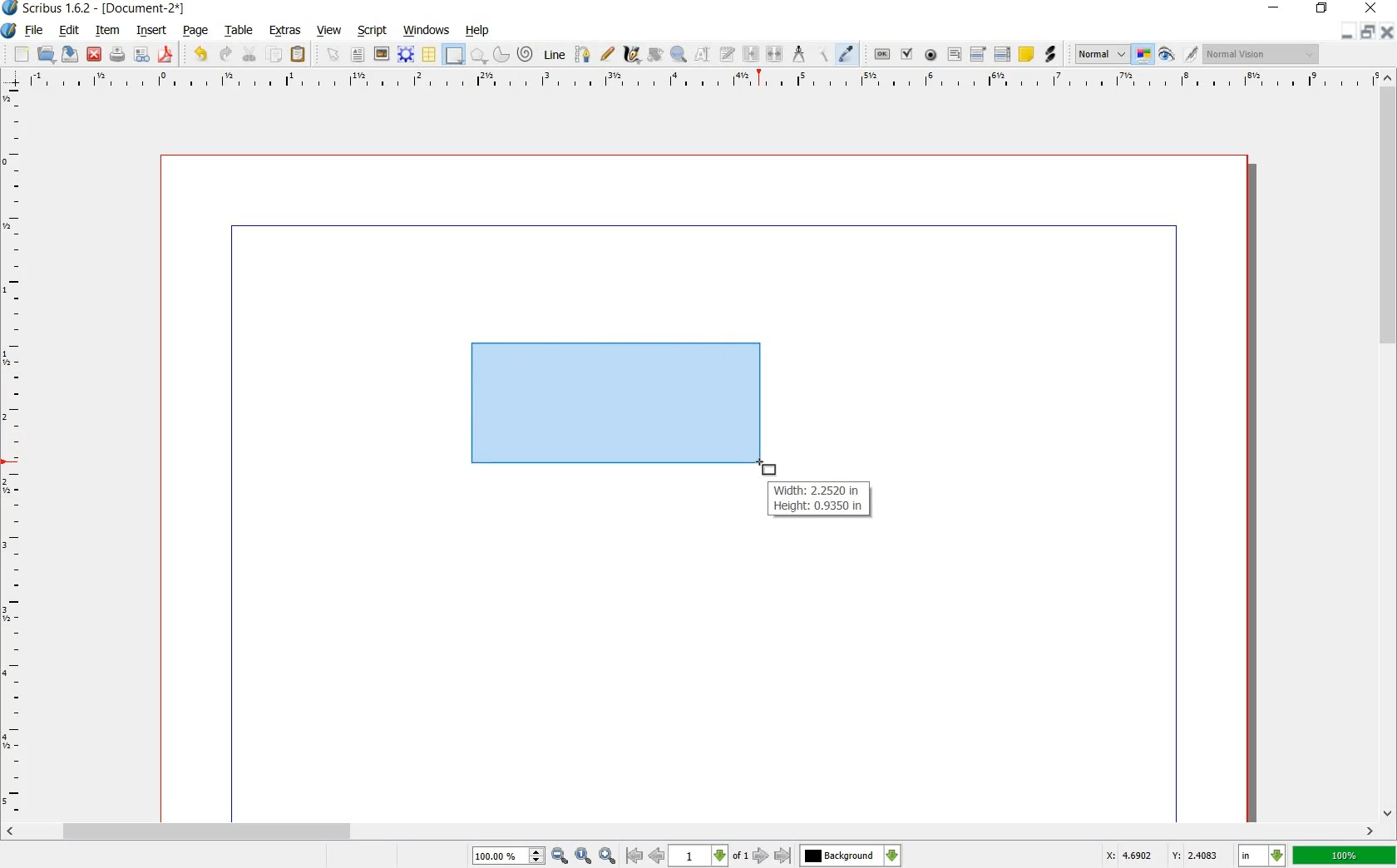 The image size is (1397, 868). I want to click on X: 4.6902 Y: 2.4083, so click(1163, 856).